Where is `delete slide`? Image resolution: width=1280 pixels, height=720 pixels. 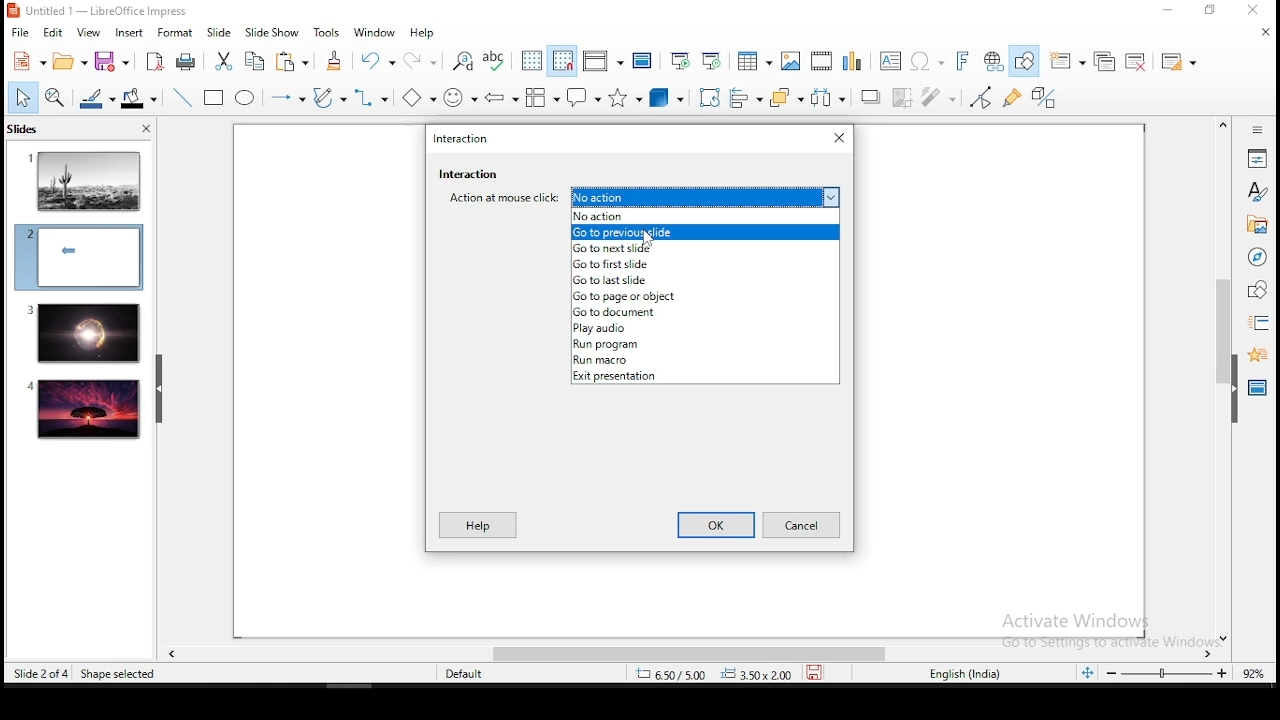 delete slide is located at coordinates (1139, 62).